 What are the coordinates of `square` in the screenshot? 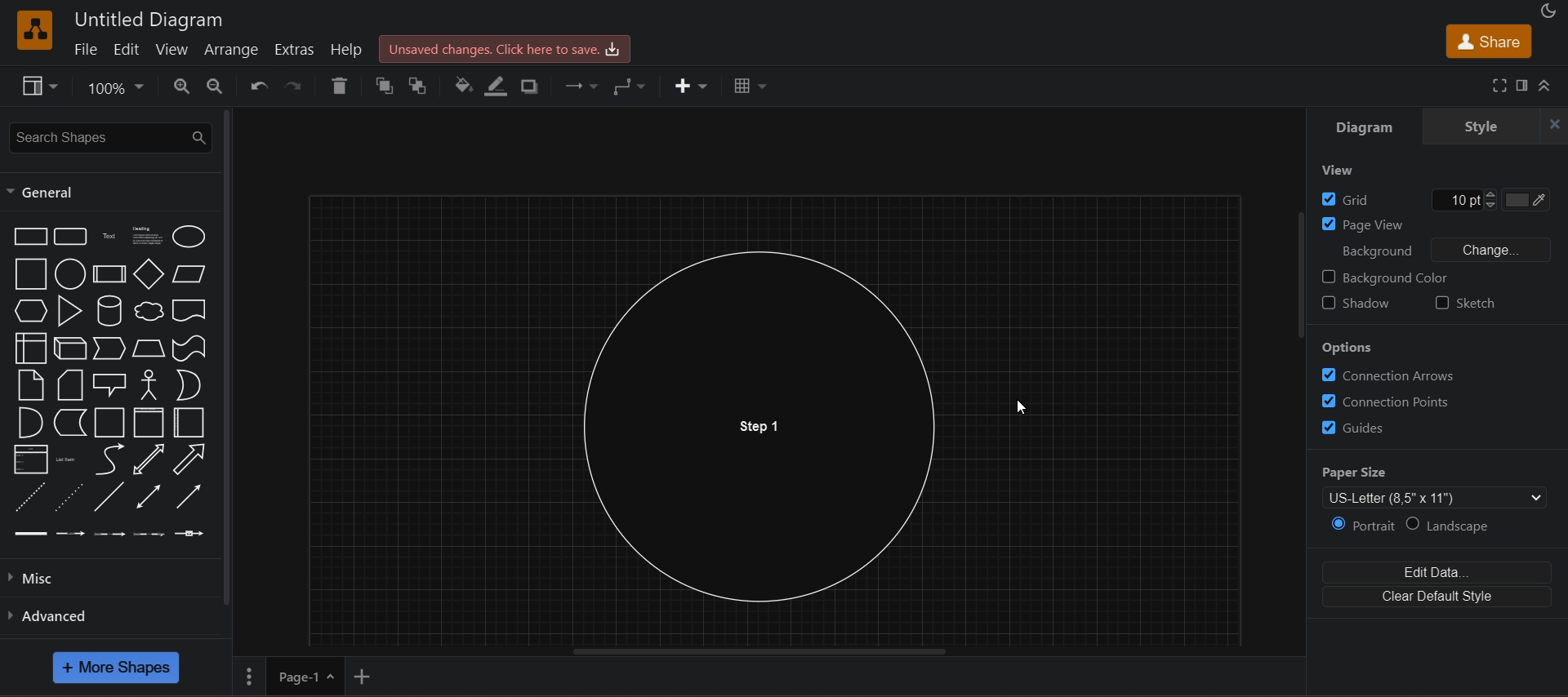 It's located at (30, 273).